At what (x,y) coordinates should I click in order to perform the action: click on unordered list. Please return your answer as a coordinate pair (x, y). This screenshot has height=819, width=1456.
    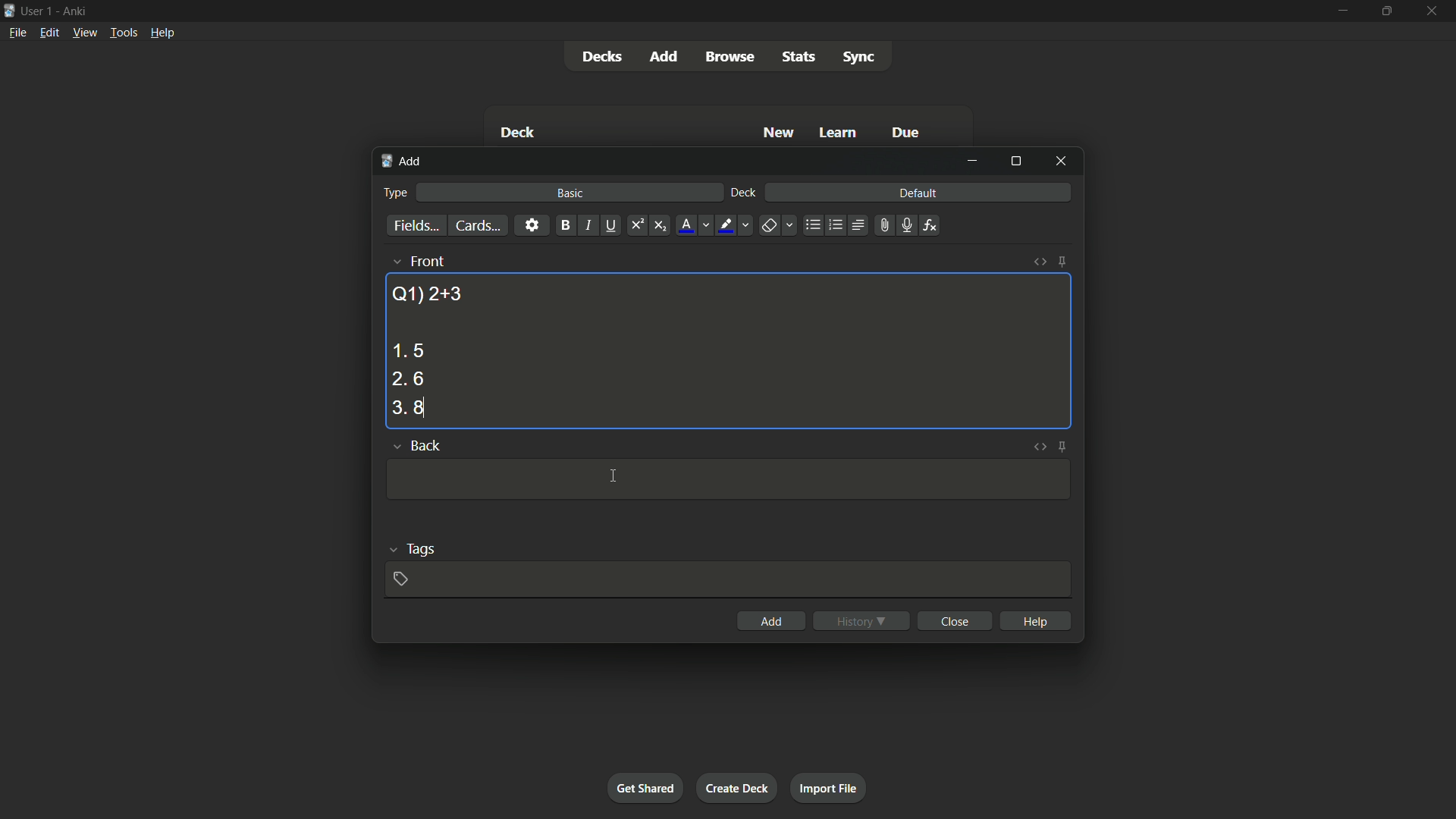
    Looking at the image, I should click on (812, 225).